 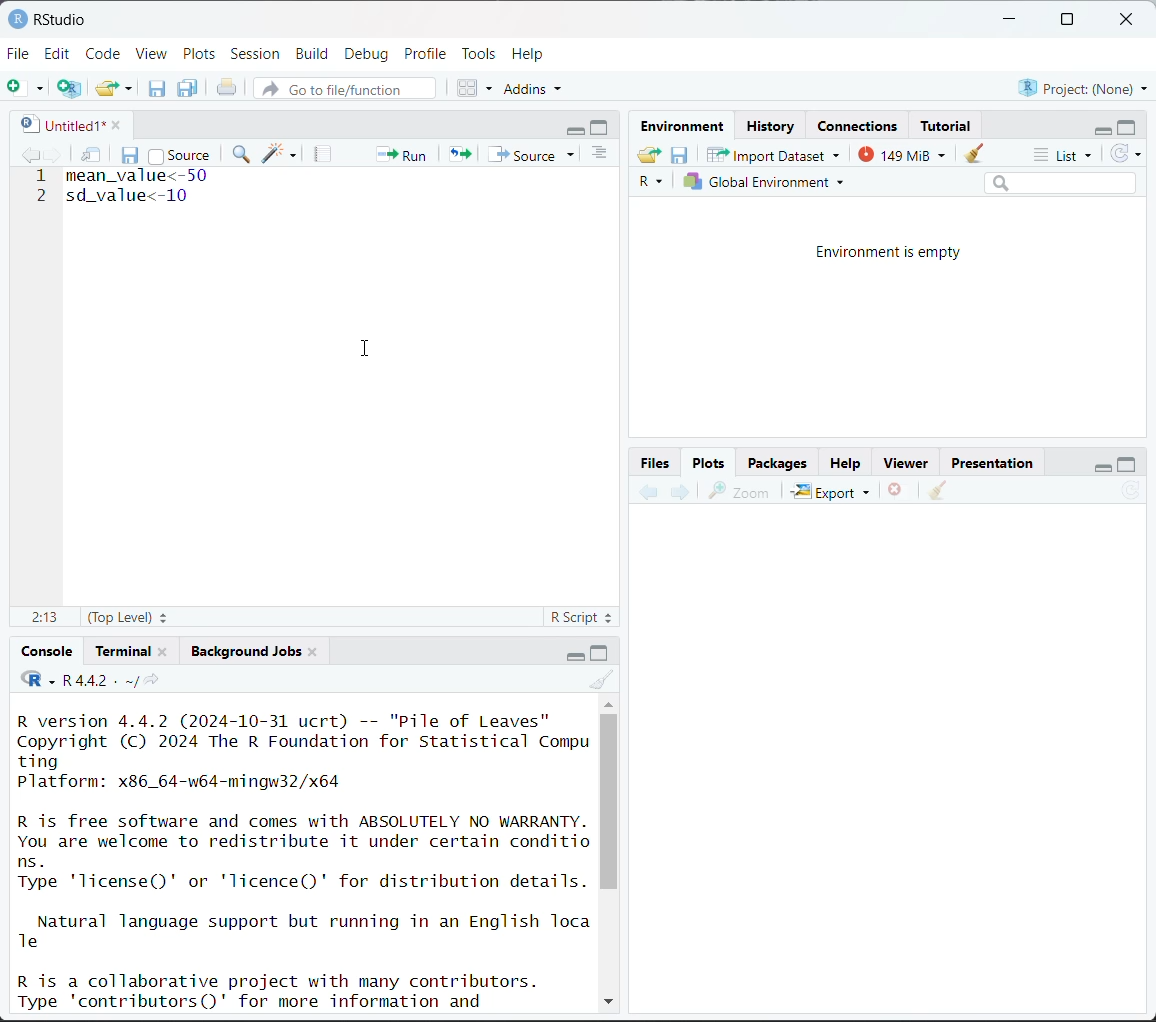 What do you see at coordinates (140, 176) in the screenshot?
I see `mean_value<-50` at bounding box center [140, 176].